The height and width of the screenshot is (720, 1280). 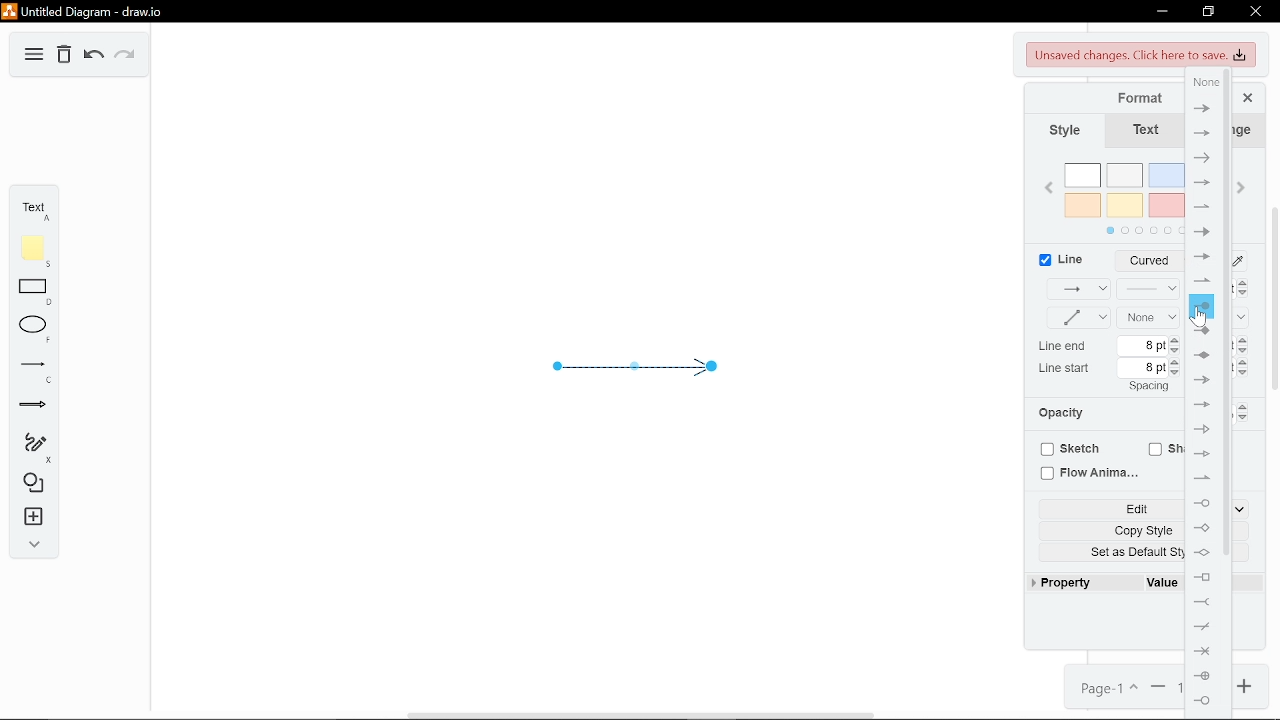 What do you see at coordinates (1146, 131) in the screenshot?
I see `Text` at bounding box center [1146, 131].